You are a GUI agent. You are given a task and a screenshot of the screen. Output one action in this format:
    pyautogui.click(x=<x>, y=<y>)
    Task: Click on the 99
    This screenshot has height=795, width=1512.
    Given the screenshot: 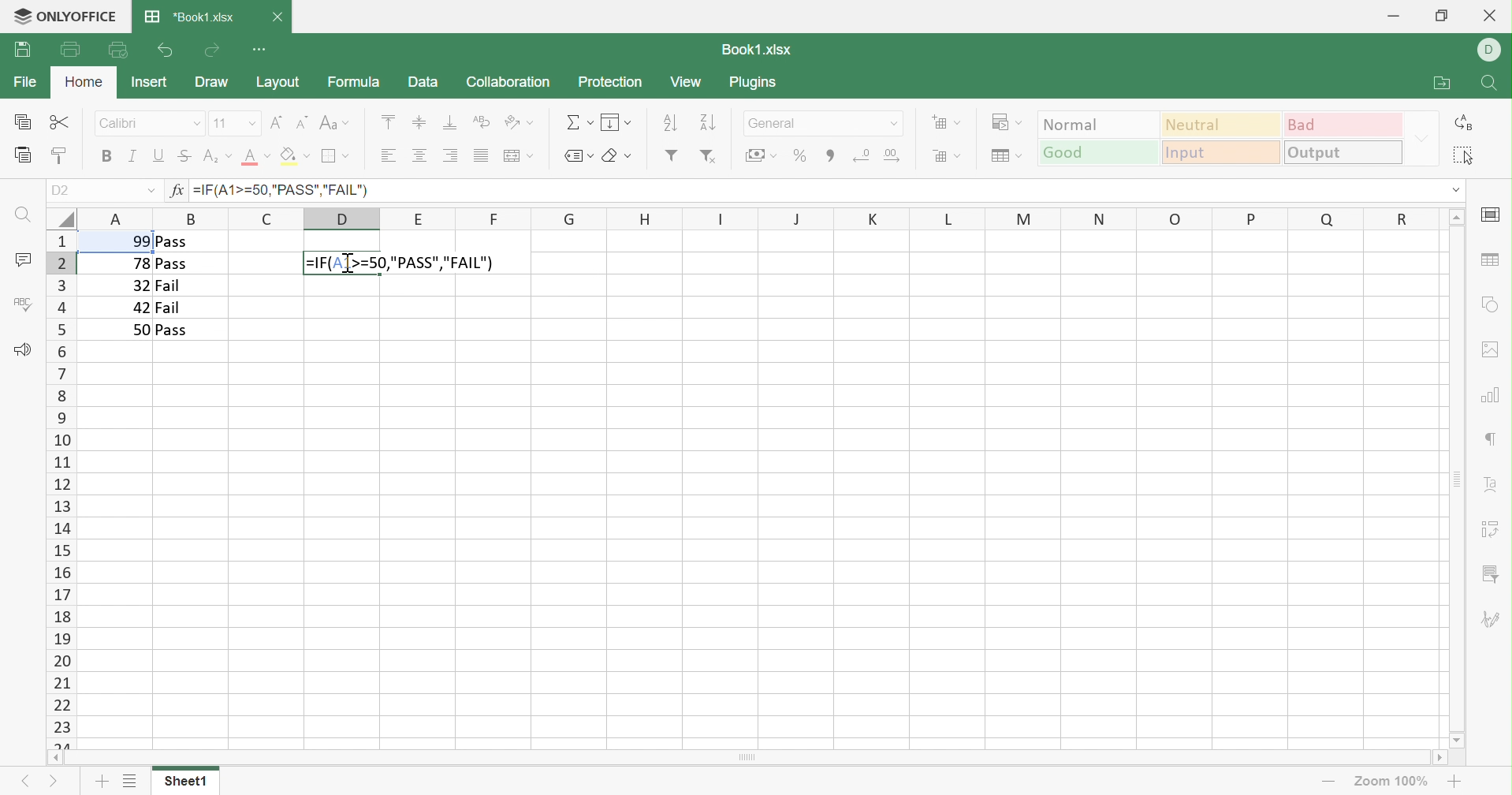 What is the action you would take?
    pyautogui.click(x=136, y=241)
    